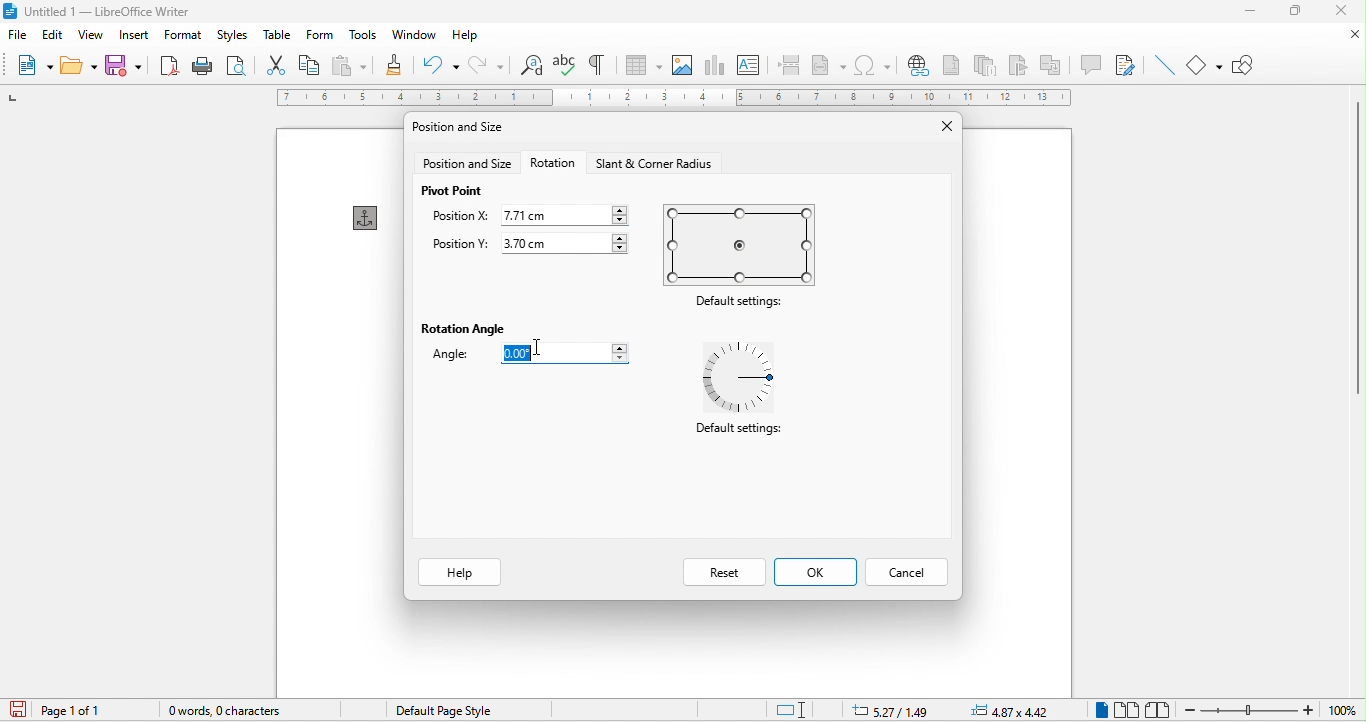 This screenshot has width=1366, height=722. What do you see at coordinates (1272, 709) in the screenshot?
I see `zoom` at bounding box center [1272, 709].